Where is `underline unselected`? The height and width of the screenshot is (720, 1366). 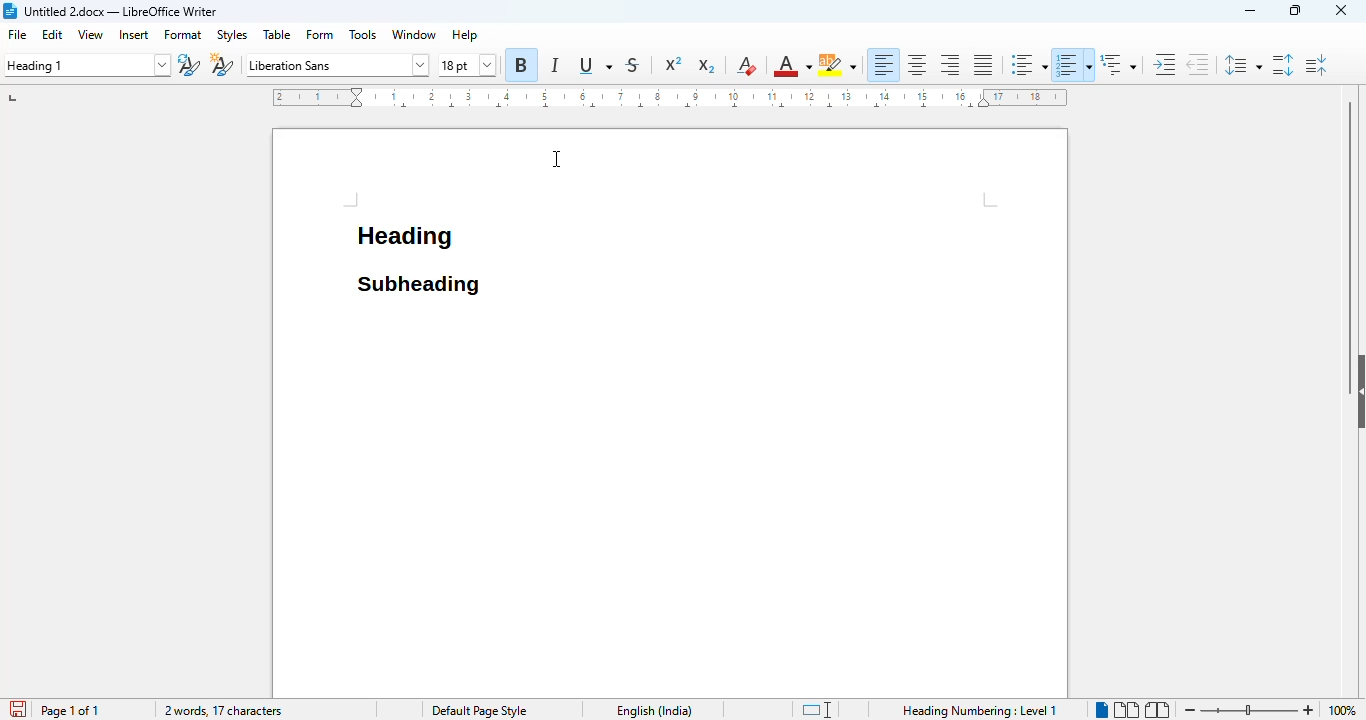 underline unselected is located at coordinates (593, 66).